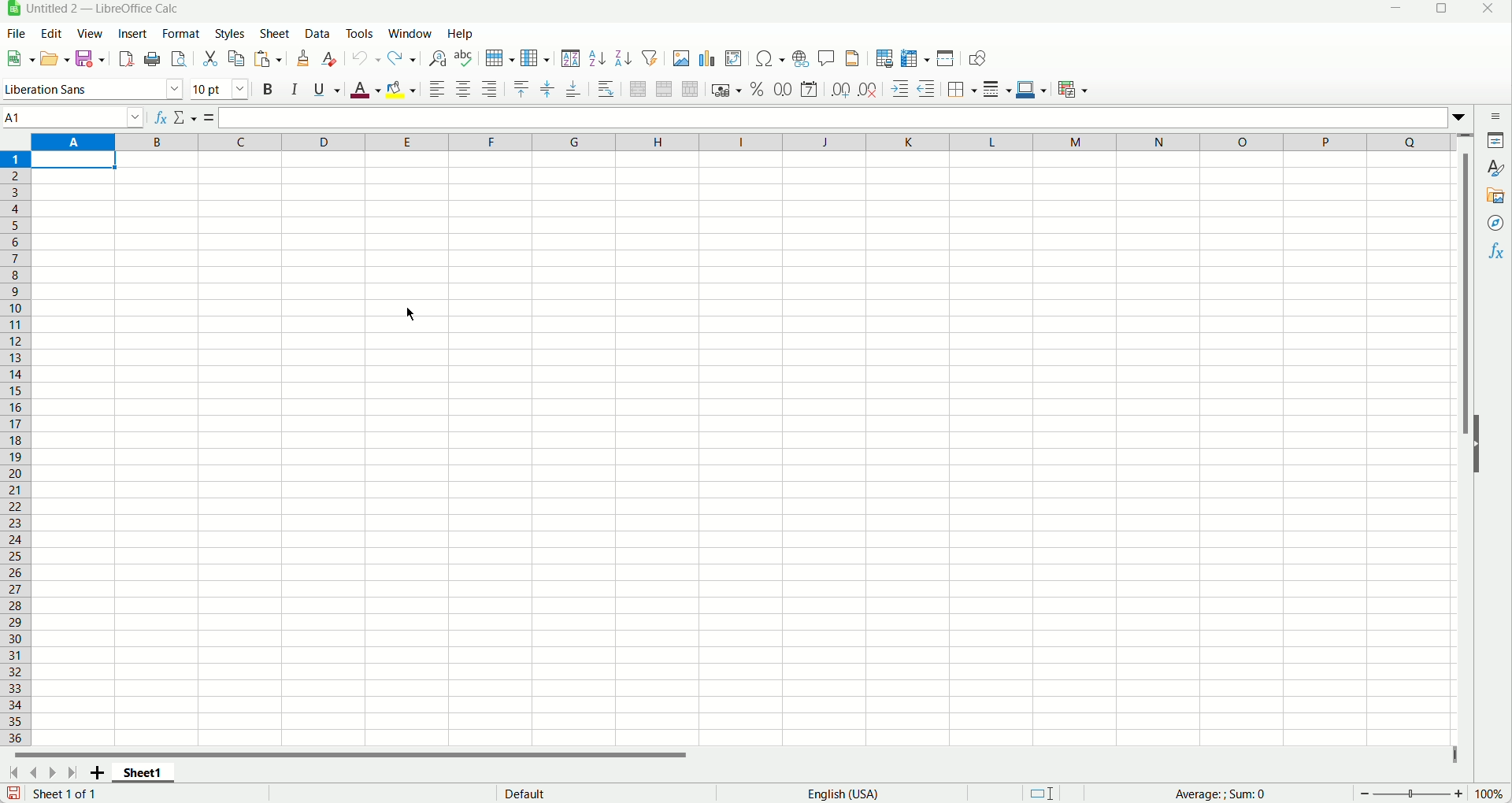 The height and width of the screenshot is (803, 1512). I want to click on Underline, so click(327, 90).